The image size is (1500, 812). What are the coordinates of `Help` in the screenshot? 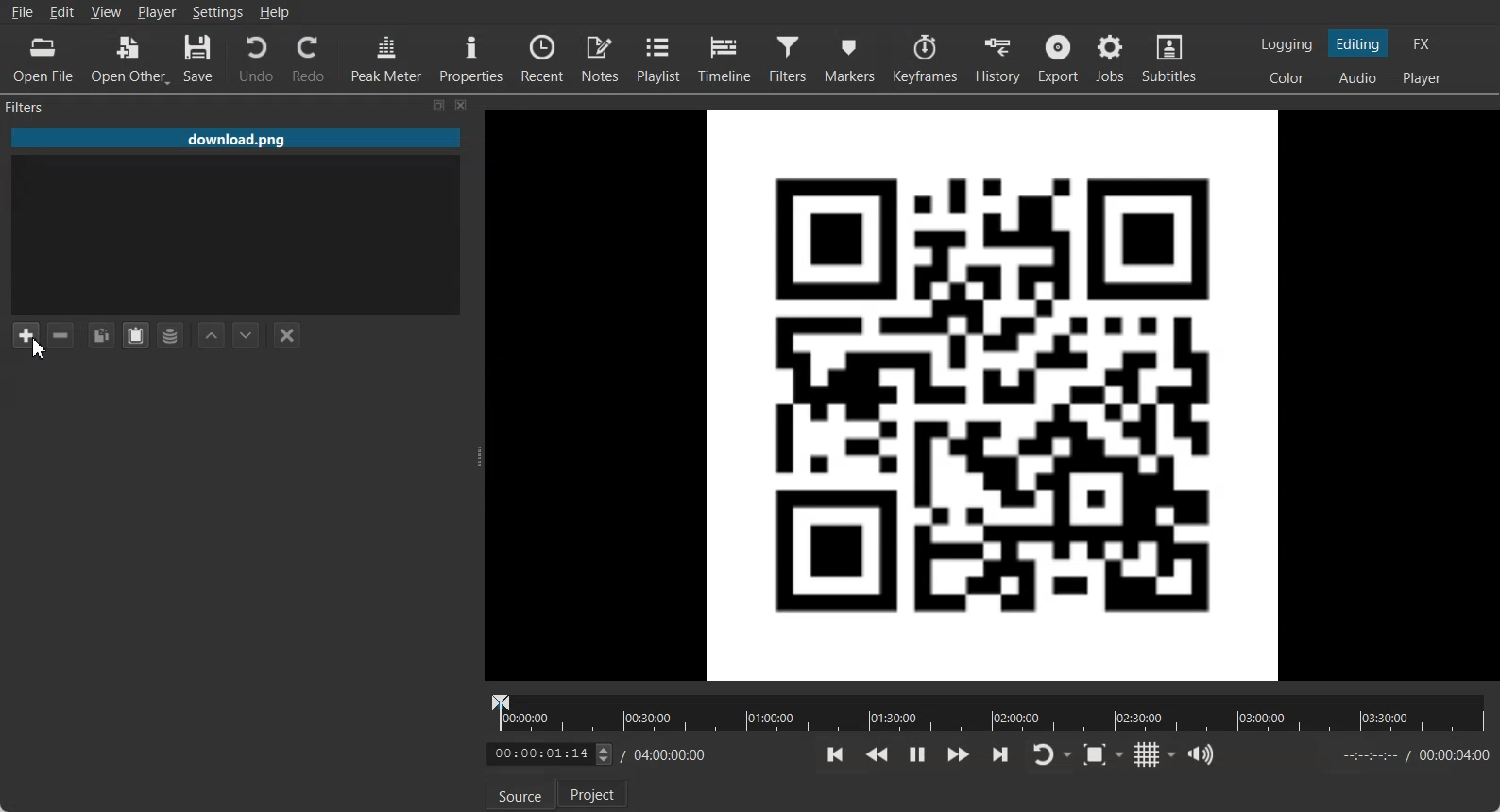 It's located at (275, 12).